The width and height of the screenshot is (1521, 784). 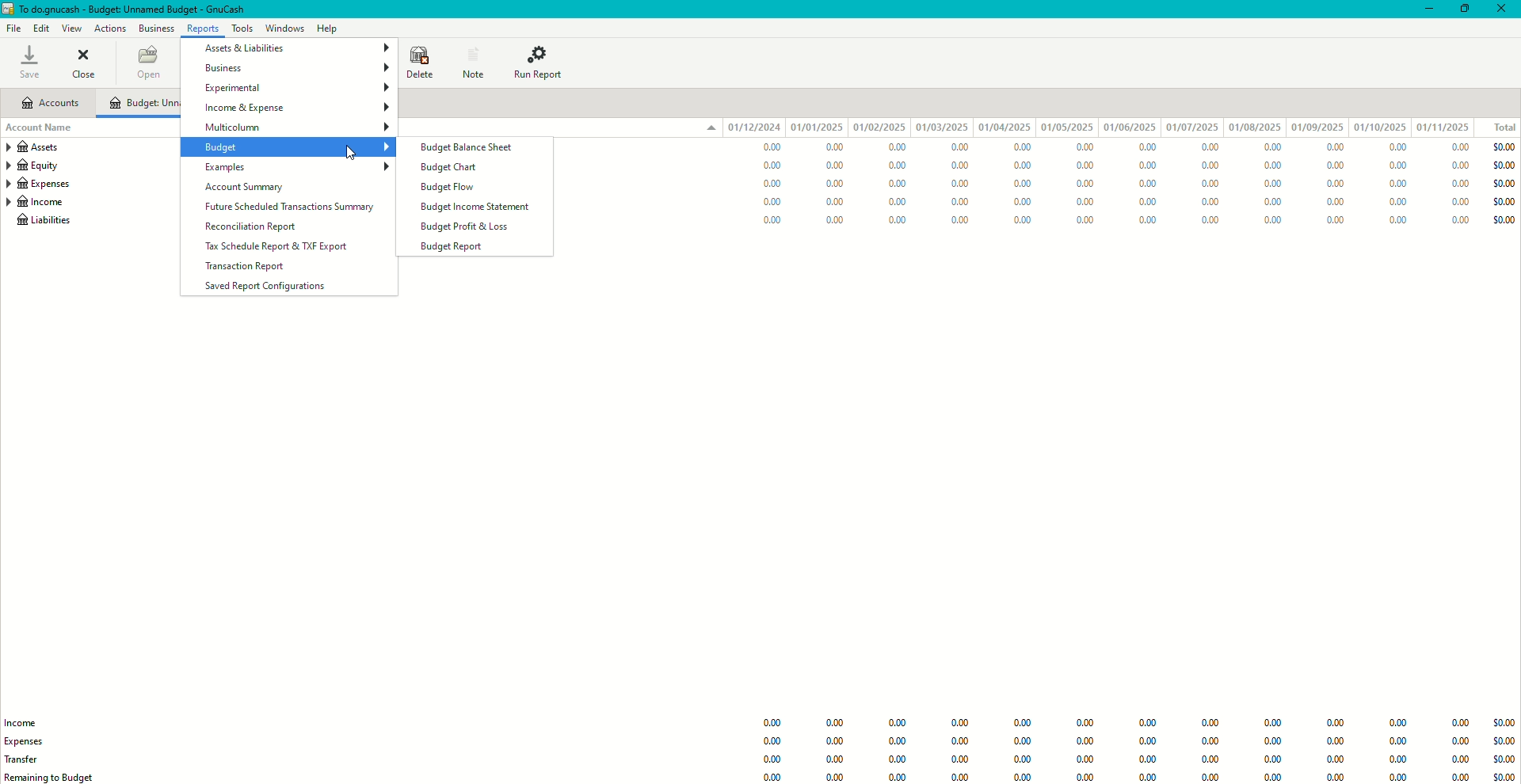 What do you see at coordinates (44, 129) in the screenshot?
I see `Account Name` at bounding box center [44, 129].